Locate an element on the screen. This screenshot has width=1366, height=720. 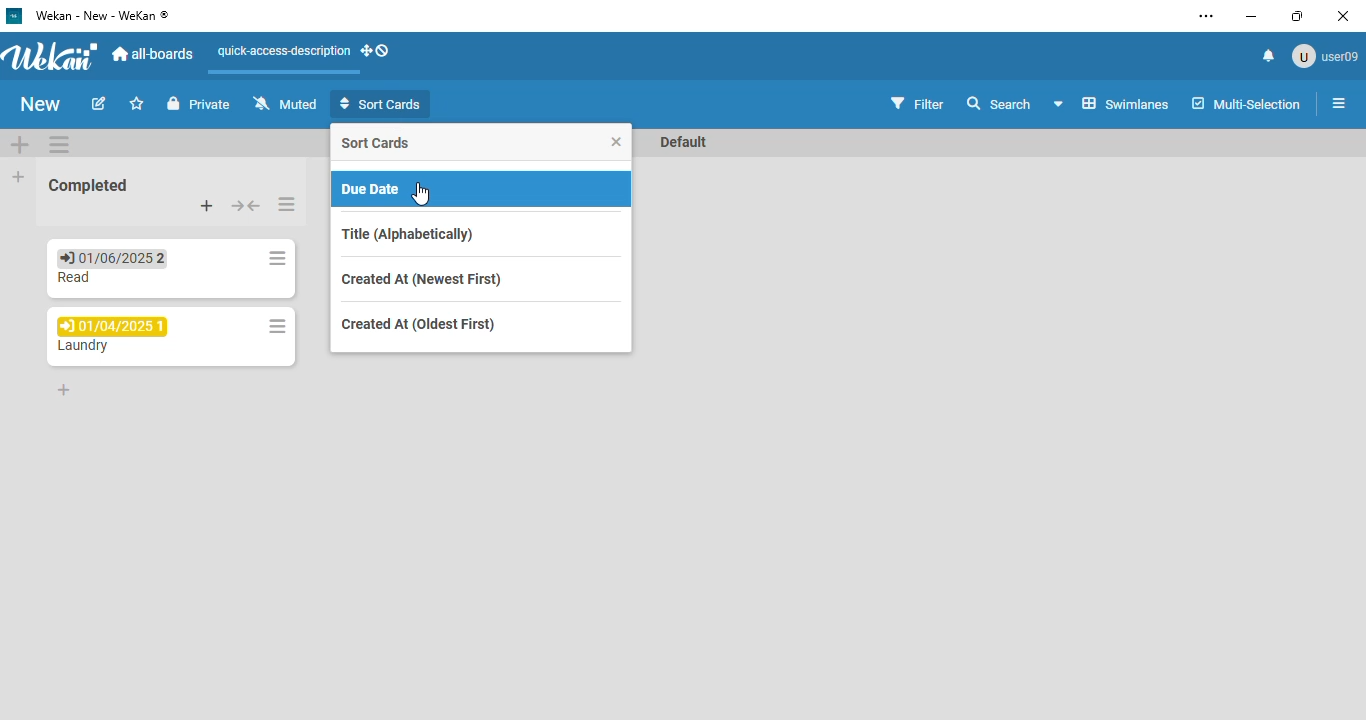
list actions is located at coordinates (275, 258).